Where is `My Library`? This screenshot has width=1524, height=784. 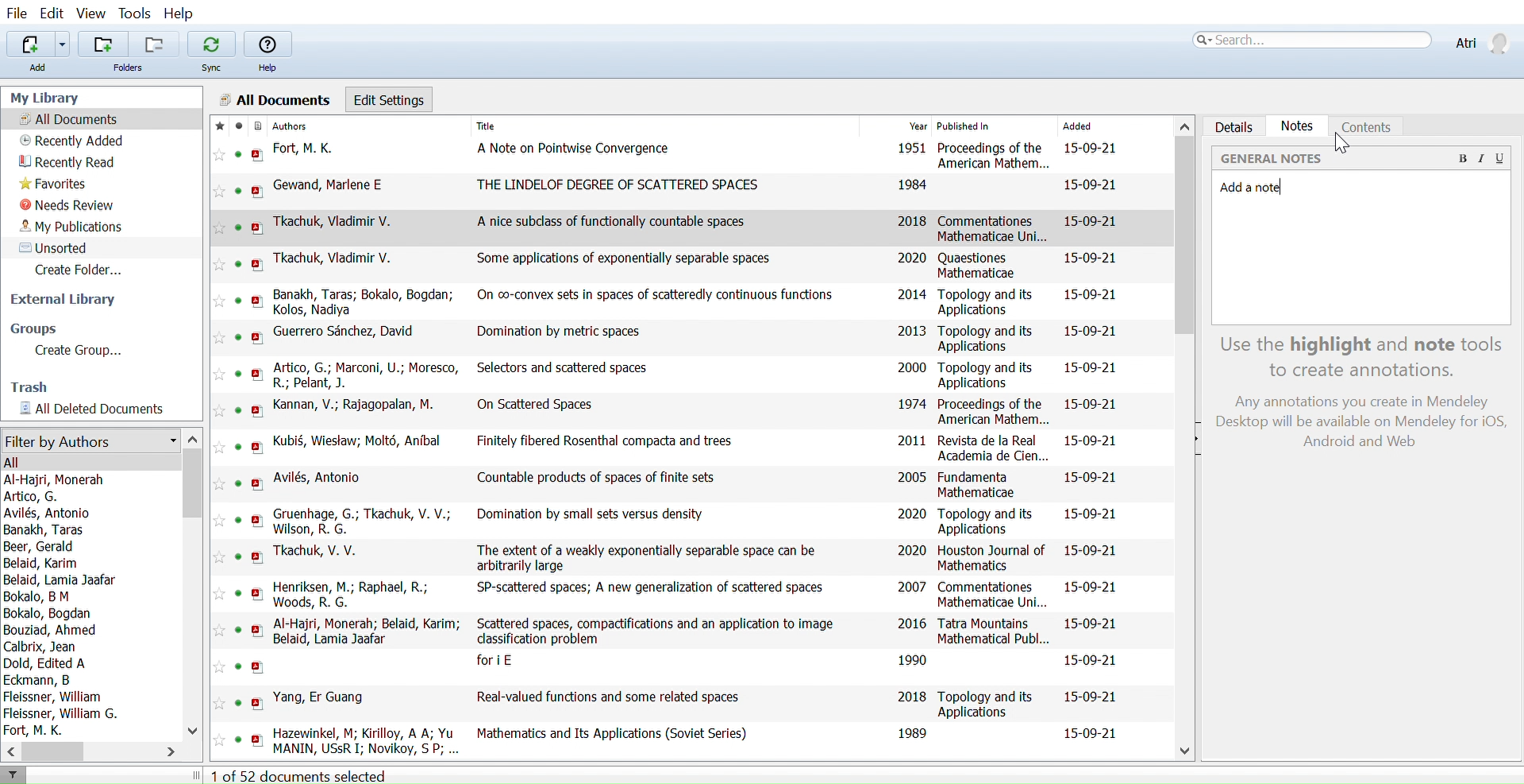
My Library is located at coordinates (45, 97).